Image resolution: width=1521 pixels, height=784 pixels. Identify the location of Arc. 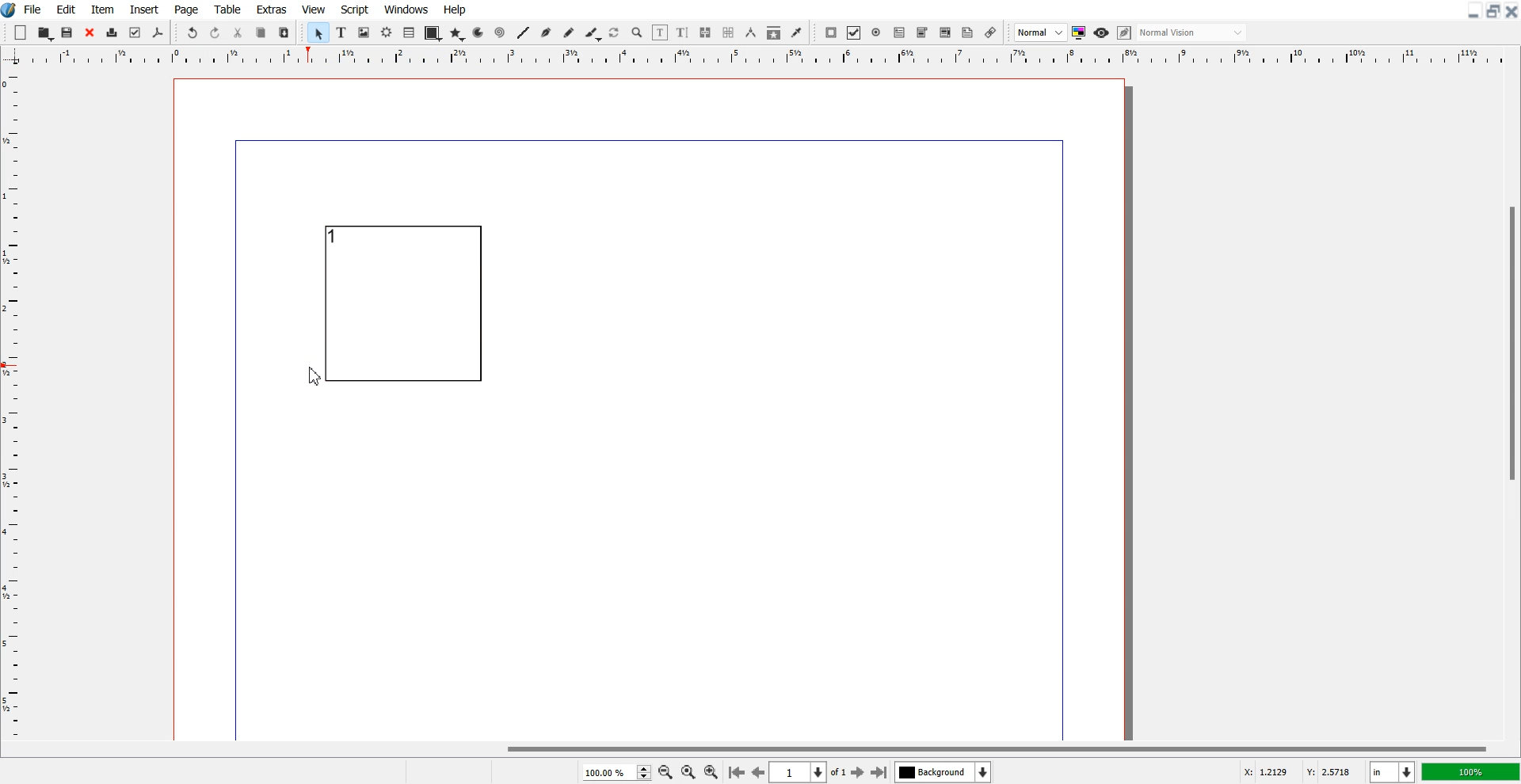
(479, 32).